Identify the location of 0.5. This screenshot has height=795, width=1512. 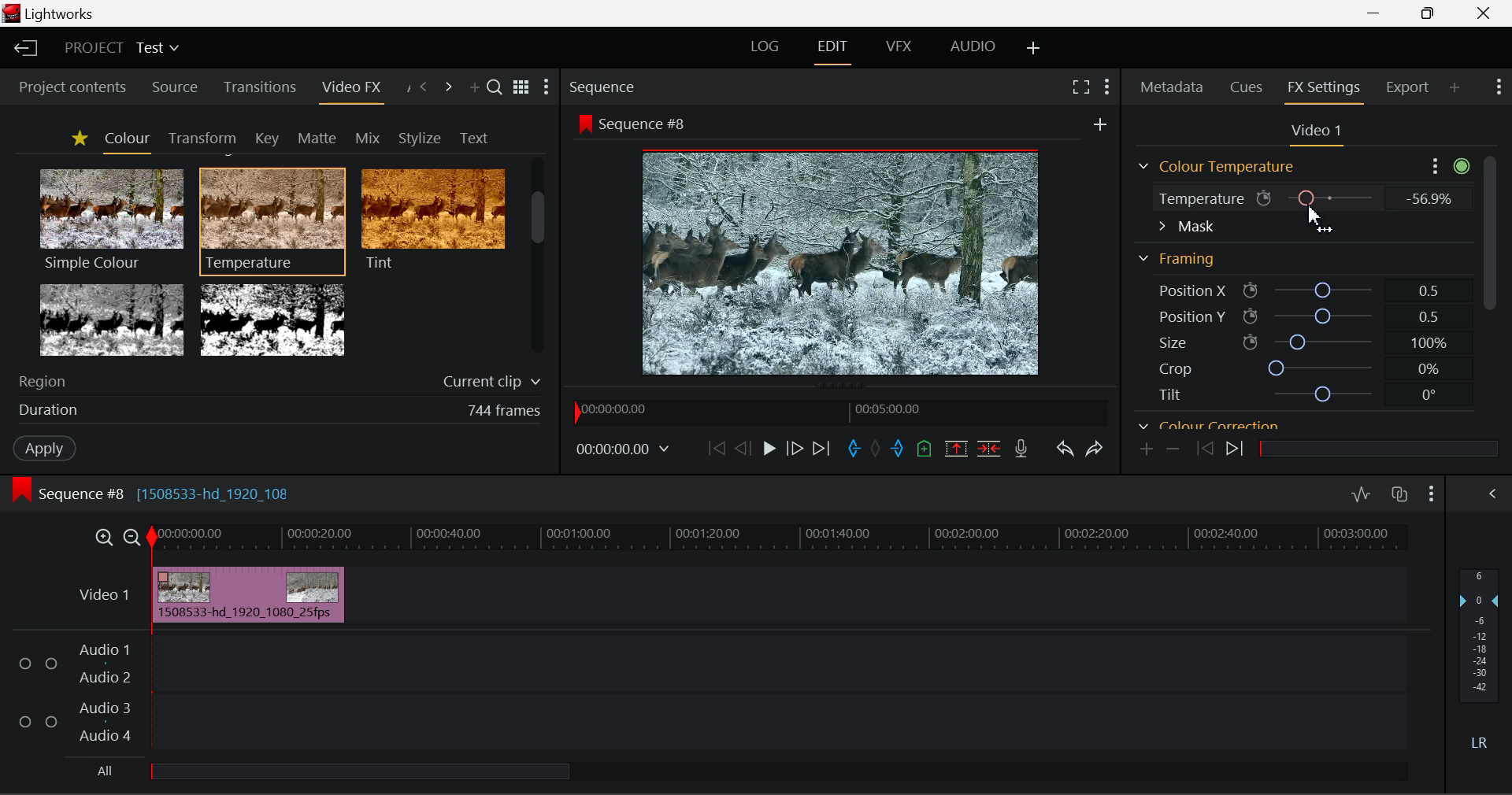
(1430, 319).